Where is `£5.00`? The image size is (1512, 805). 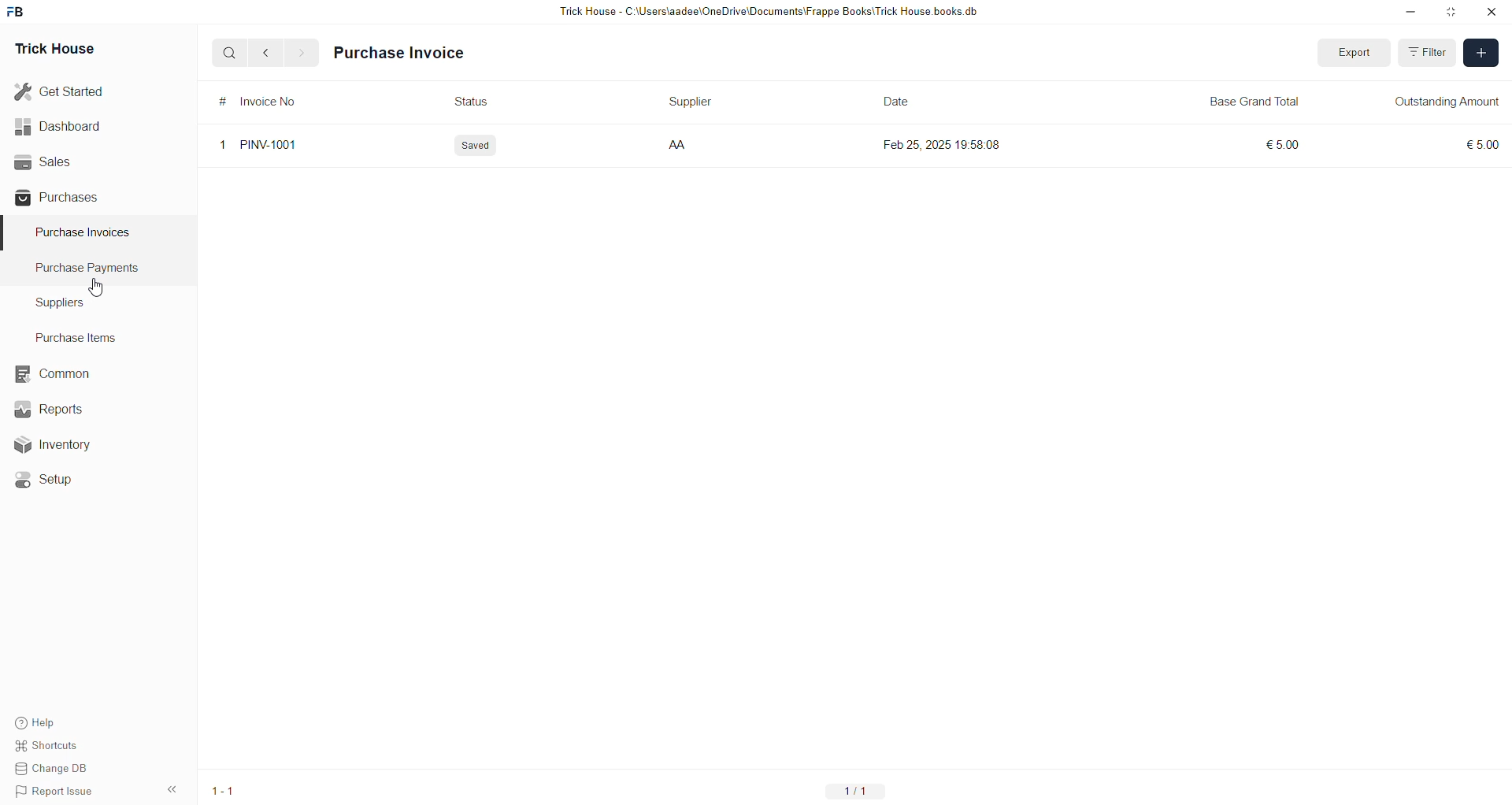
£5.00 is located at coordinates (1284, 148).